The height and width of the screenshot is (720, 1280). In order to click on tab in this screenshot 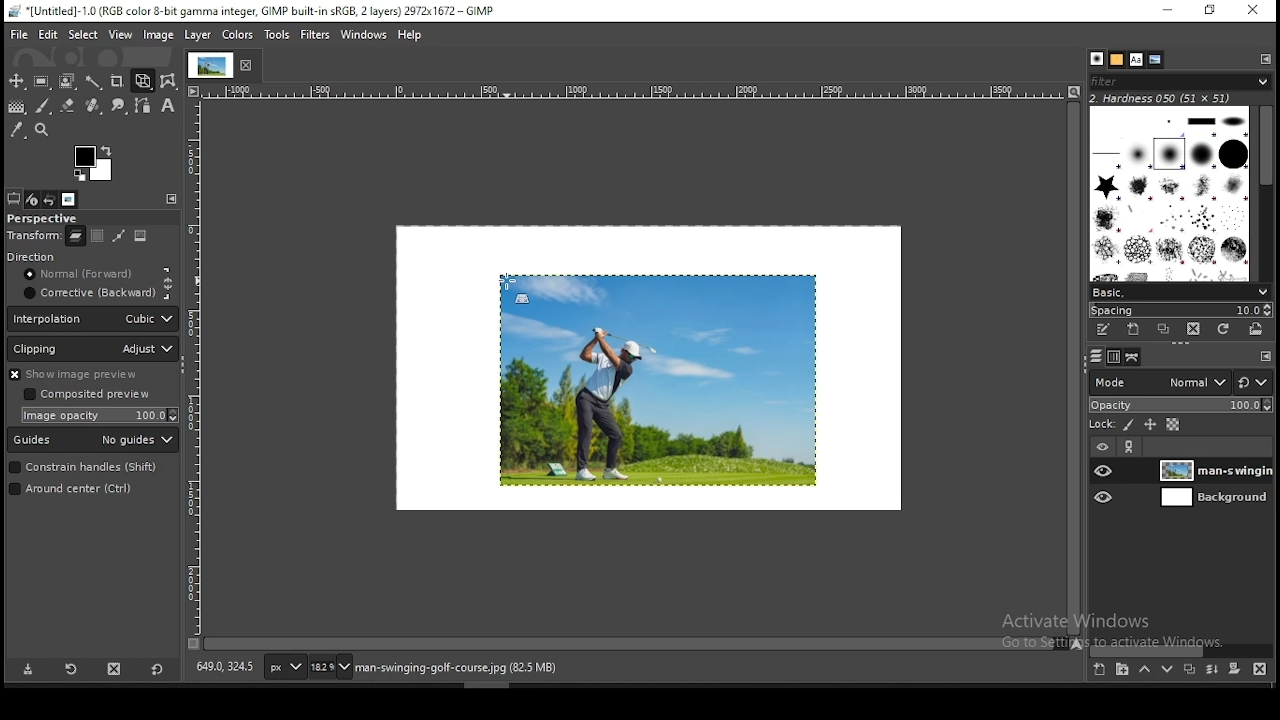, I will do `click(209, 65)`.